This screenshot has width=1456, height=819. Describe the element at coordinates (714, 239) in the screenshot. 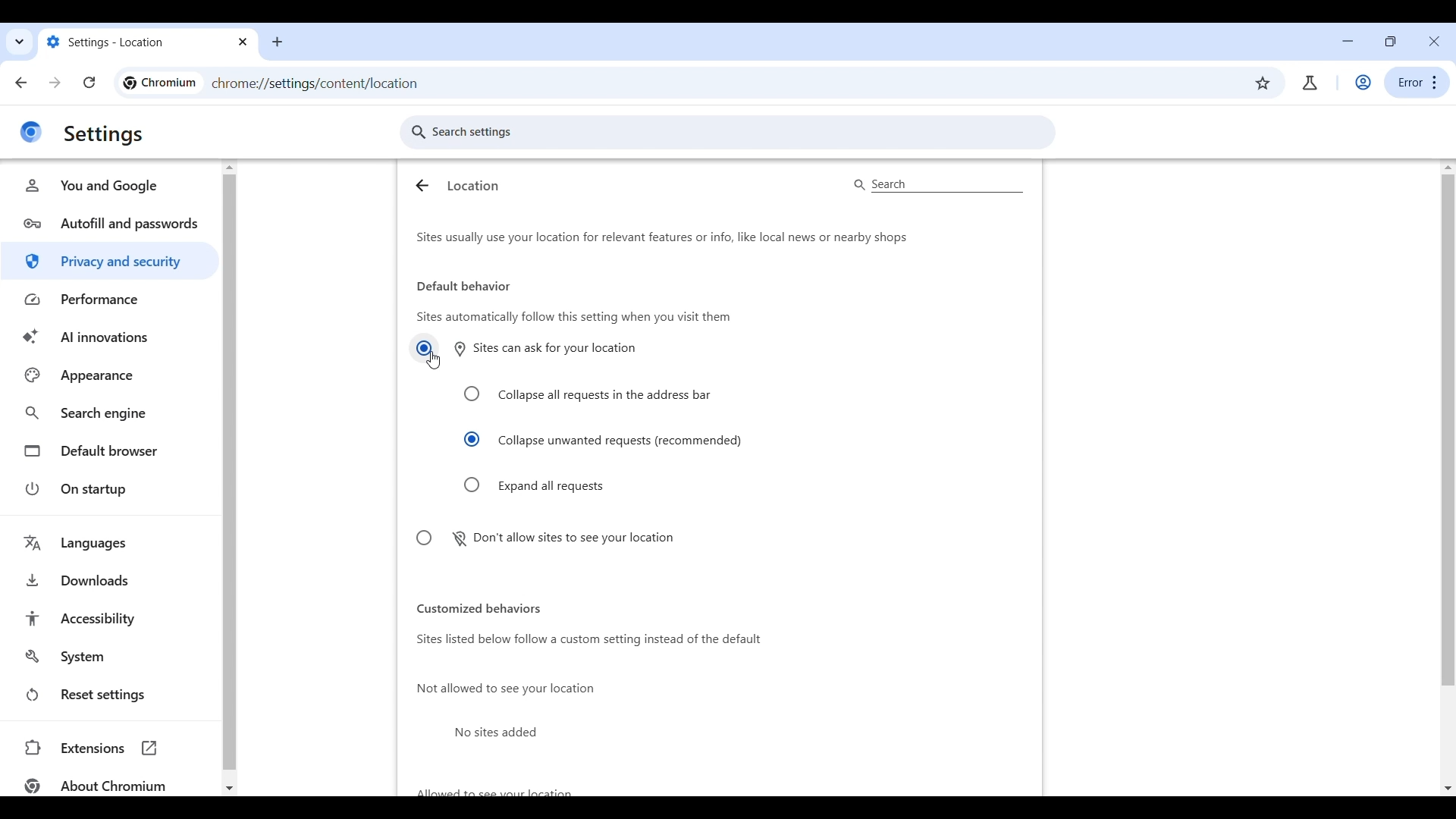

I see `sites usually use your location for relevant features or info, like local news or nearby shops` at that location.